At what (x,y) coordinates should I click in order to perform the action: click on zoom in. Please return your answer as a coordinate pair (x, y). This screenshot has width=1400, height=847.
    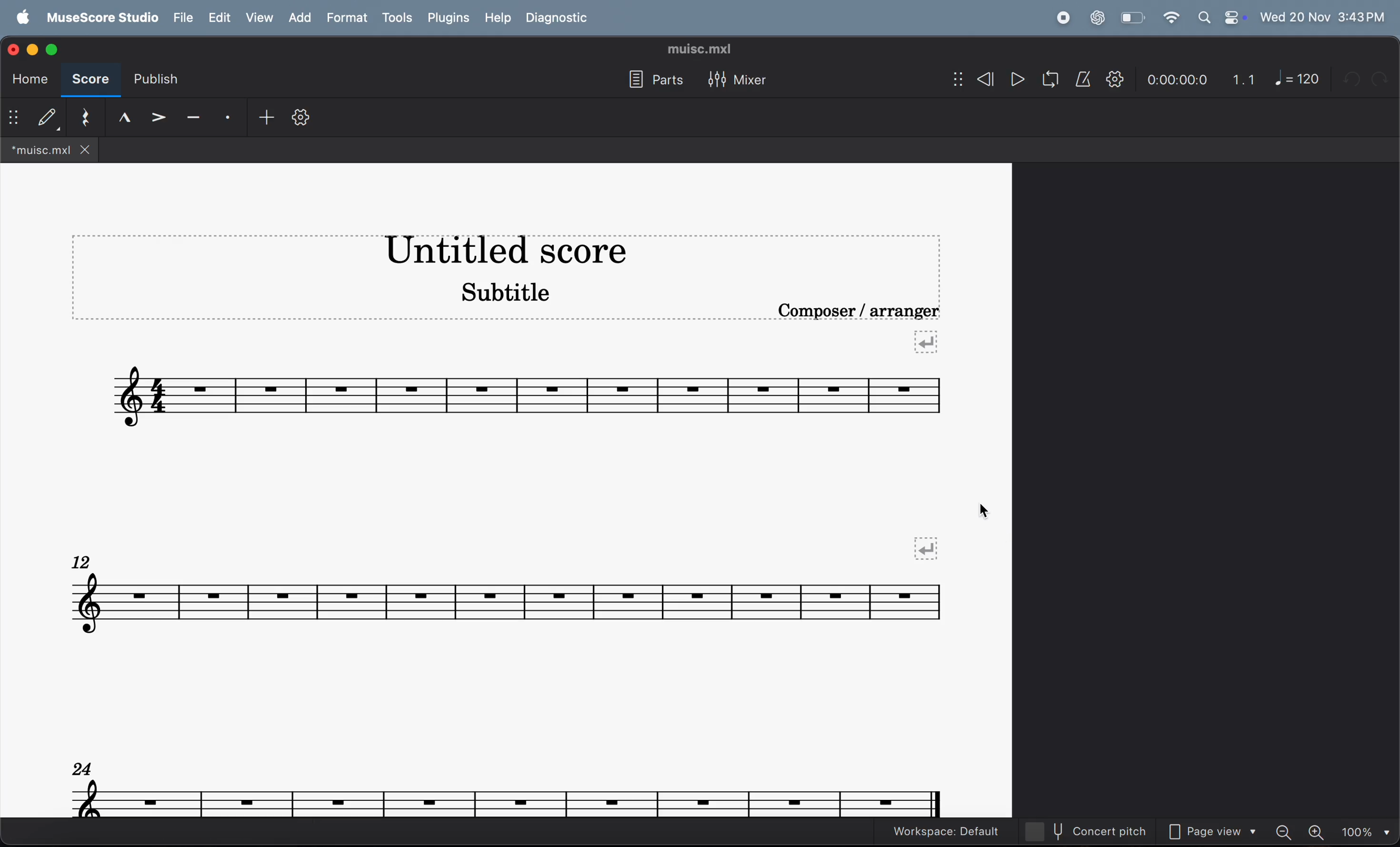
    Looking at the image, I should click on (1315, 830).